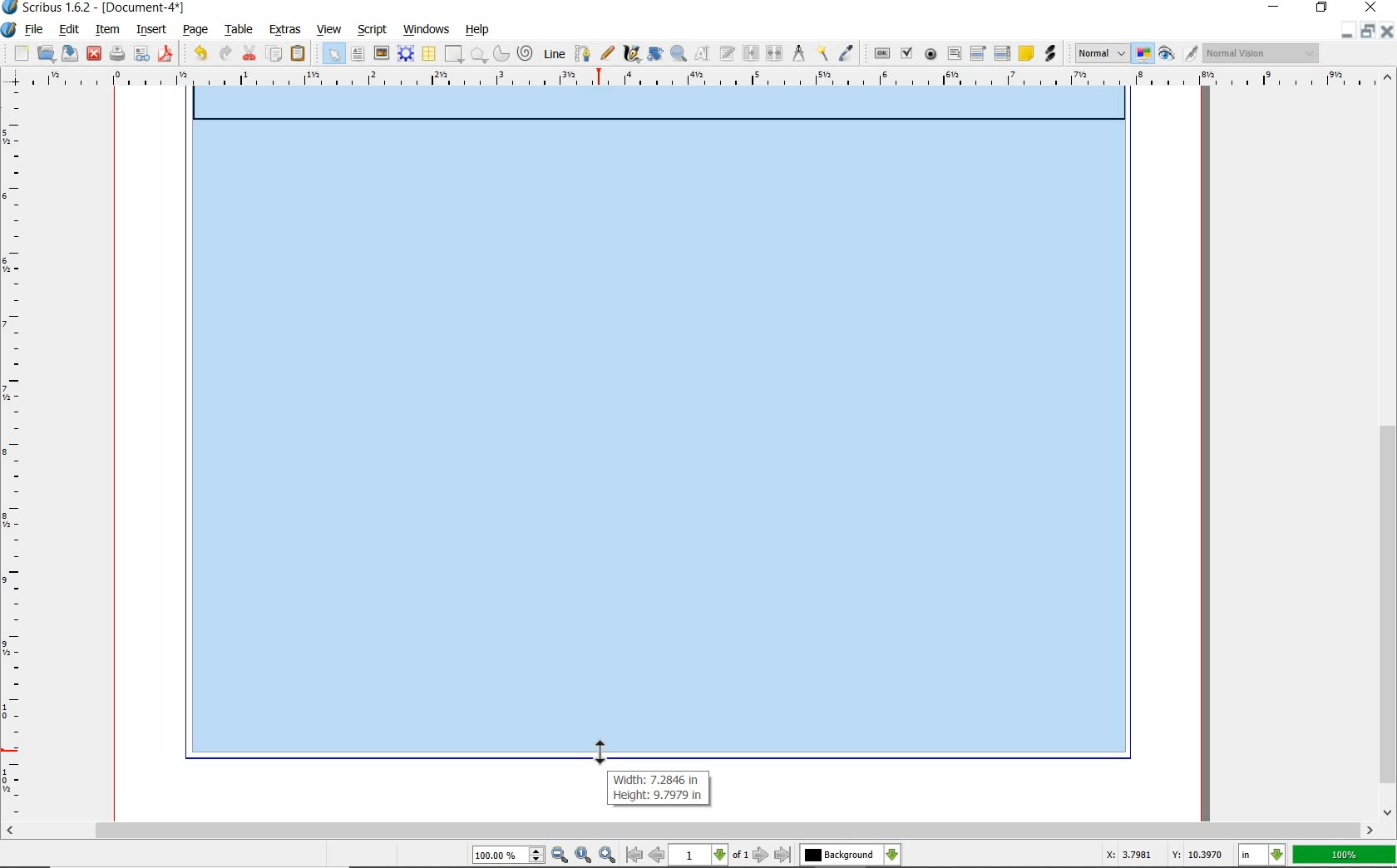  Describe the element at coordinates (847, 51) in the screenshot. I see `eye dropper` at that location.